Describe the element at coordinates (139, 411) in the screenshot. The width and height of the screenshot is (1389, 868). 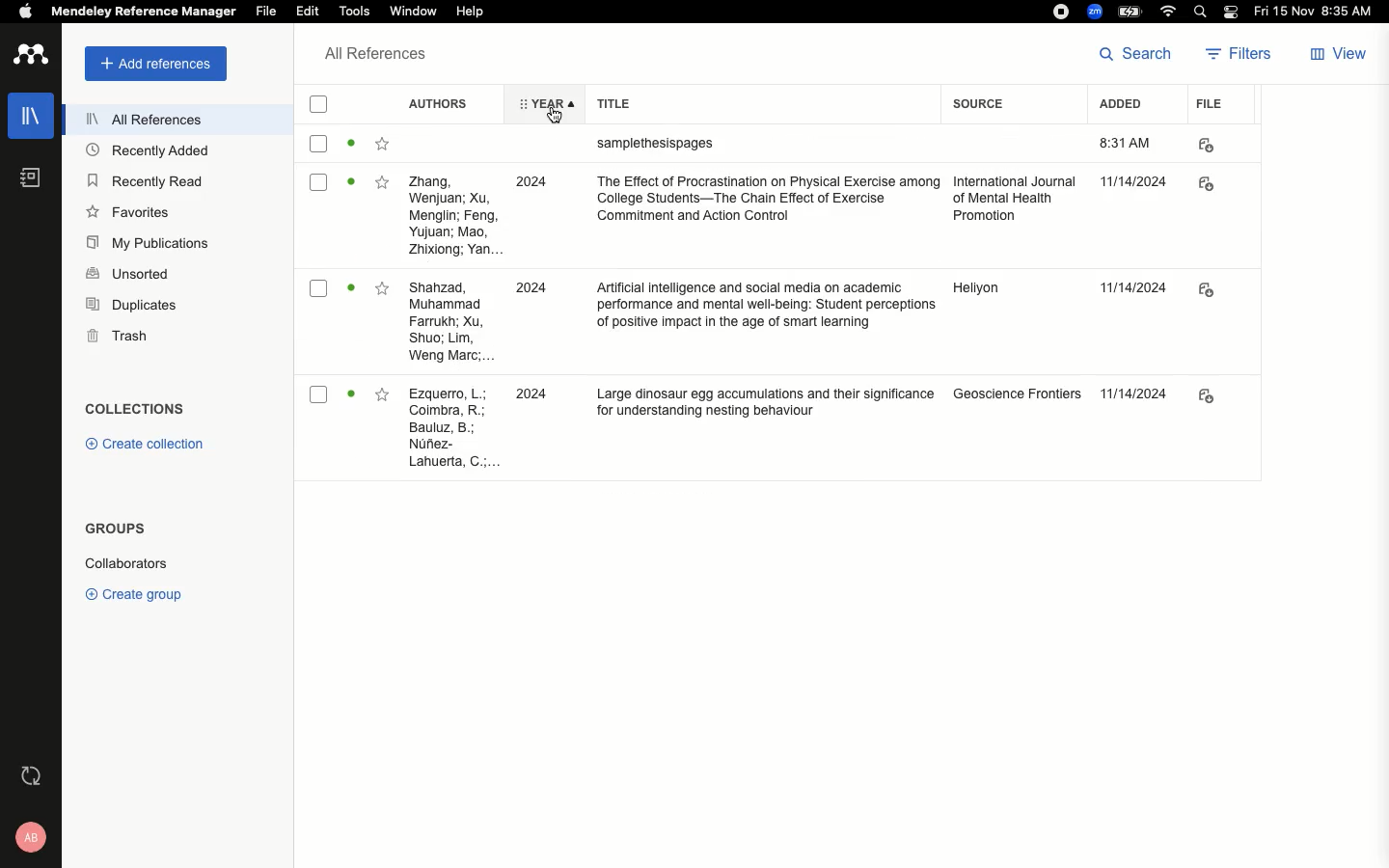
I see `Collections` at that location.